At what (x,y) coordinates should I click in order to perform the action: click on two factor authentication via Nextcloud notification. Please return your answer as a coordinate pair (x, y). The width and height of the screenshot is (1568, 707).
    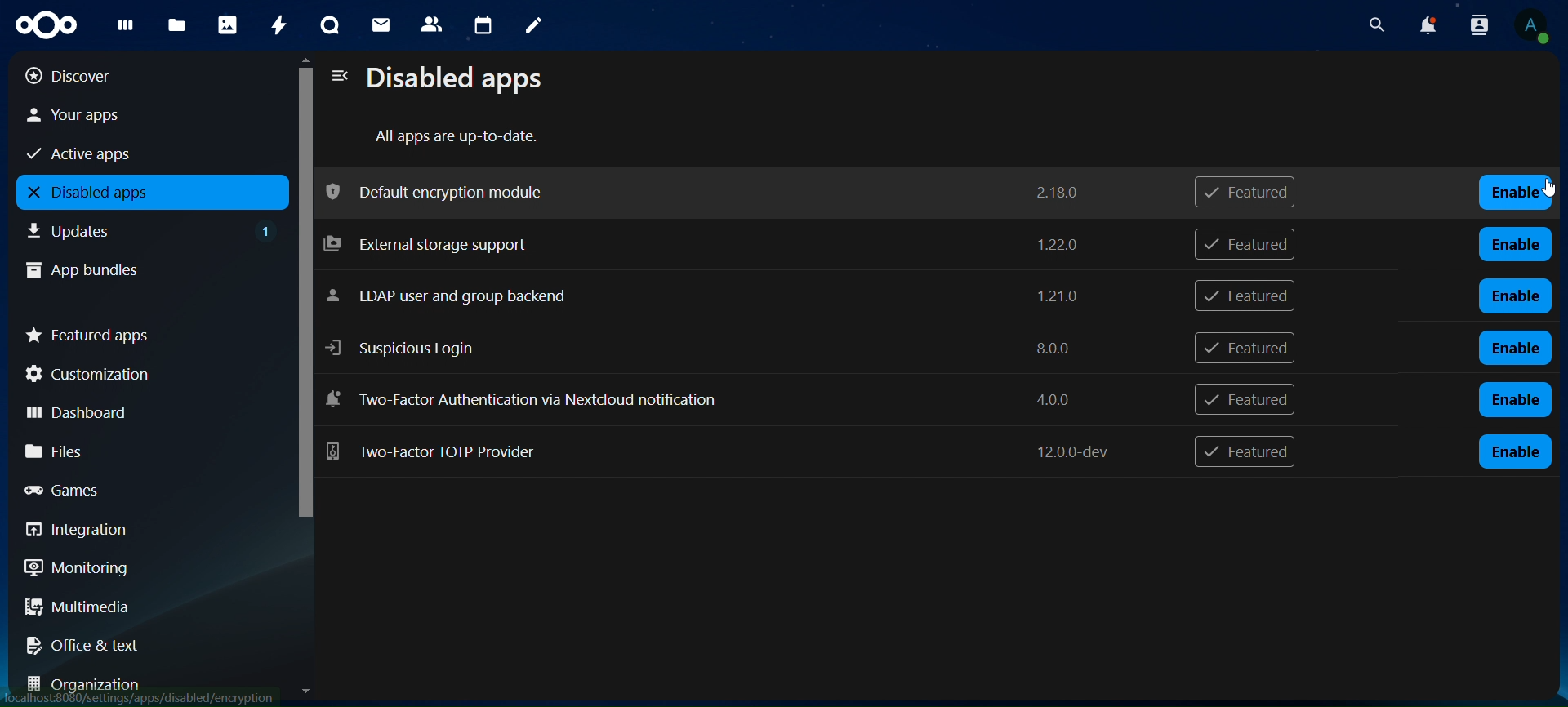
    Looking at the image, I should click on (702, 398).